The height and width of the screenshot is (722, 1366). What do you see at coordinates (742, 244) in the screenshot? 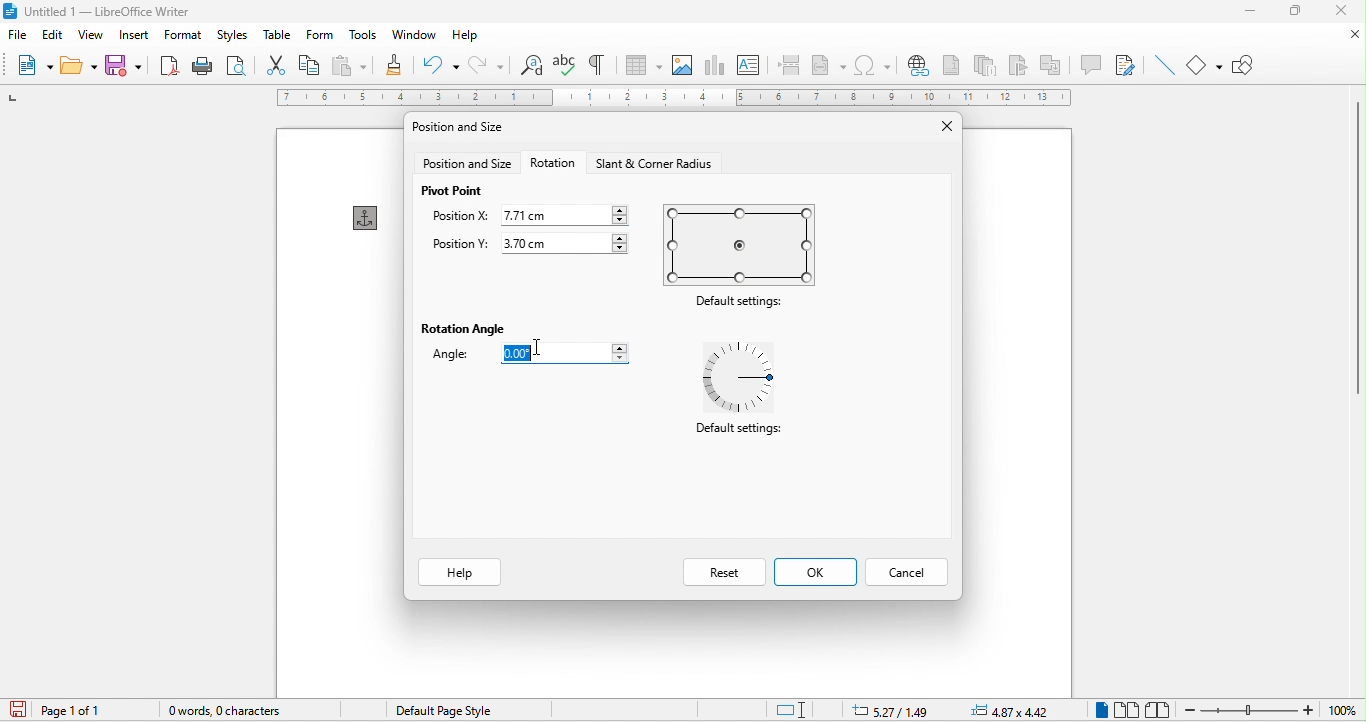
I see `default settings` at bounding box center [742, 244].